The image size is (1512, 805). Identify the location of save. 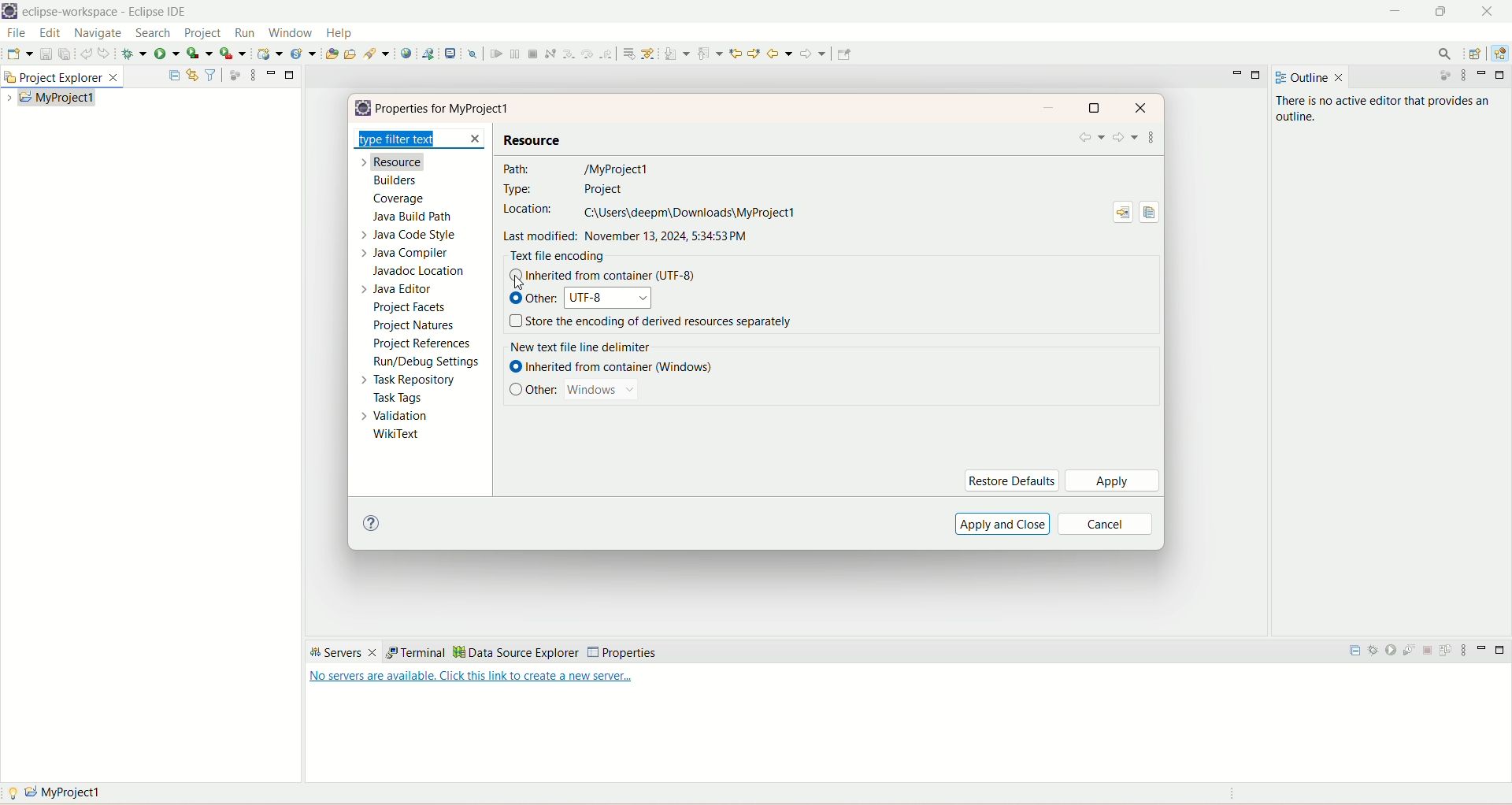
(19, 54).